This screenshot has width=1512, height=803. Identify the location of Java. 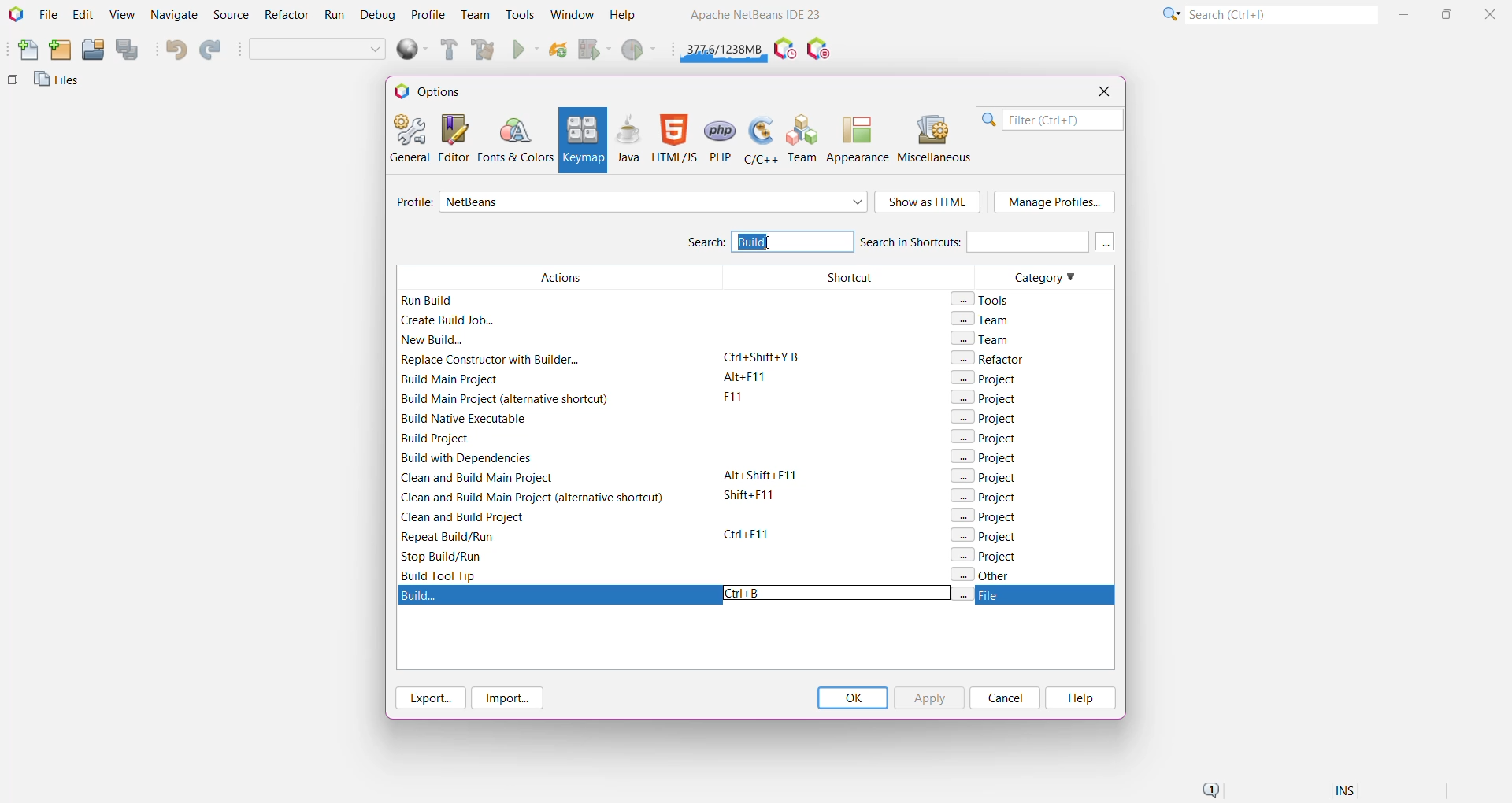
(628, 139).